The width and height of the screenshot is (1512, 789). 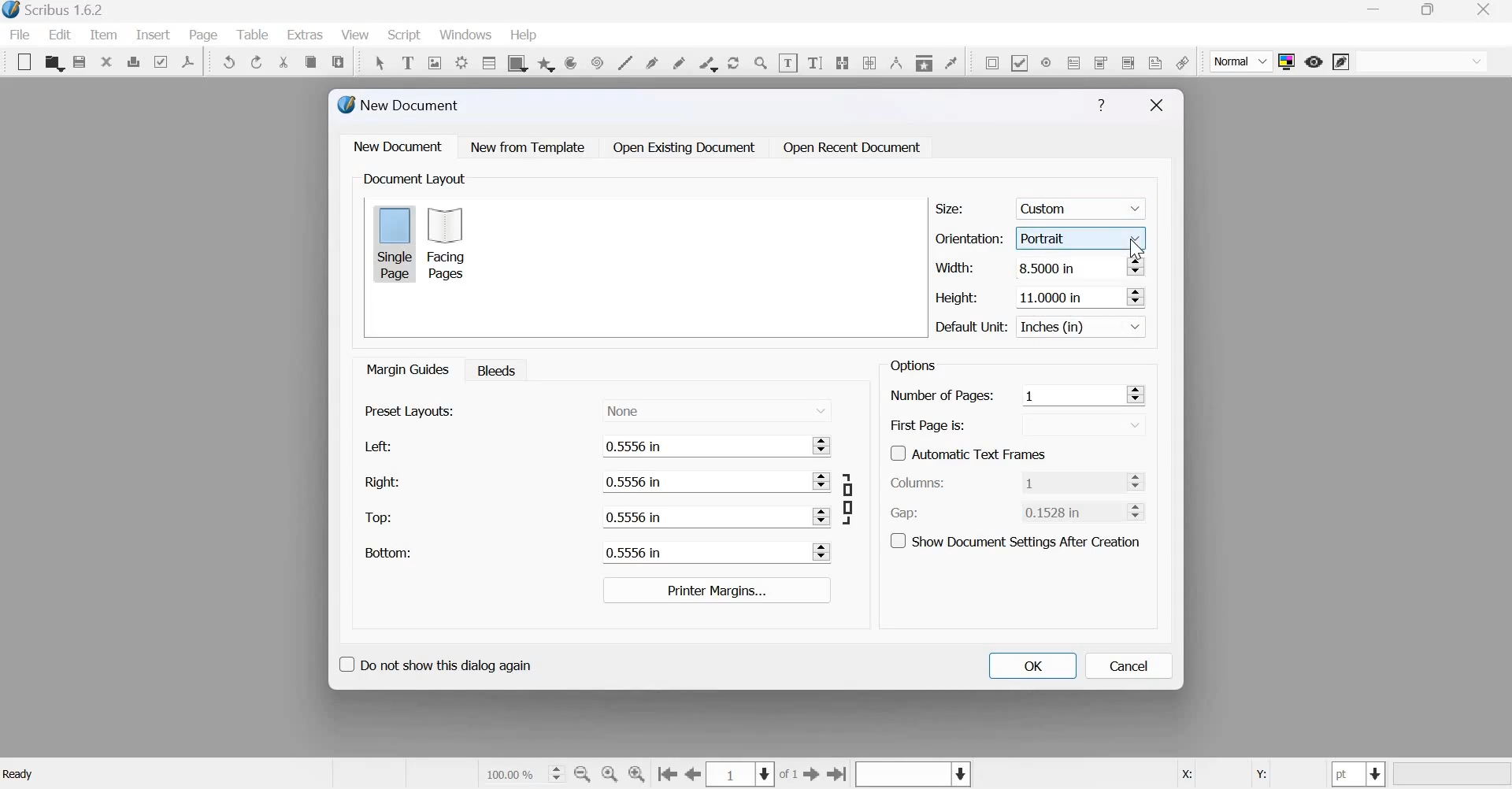 What do you see at coordinates (160, 61) in the screenshot?
I see `Preflight verifier` at bounding box center [160, 61].